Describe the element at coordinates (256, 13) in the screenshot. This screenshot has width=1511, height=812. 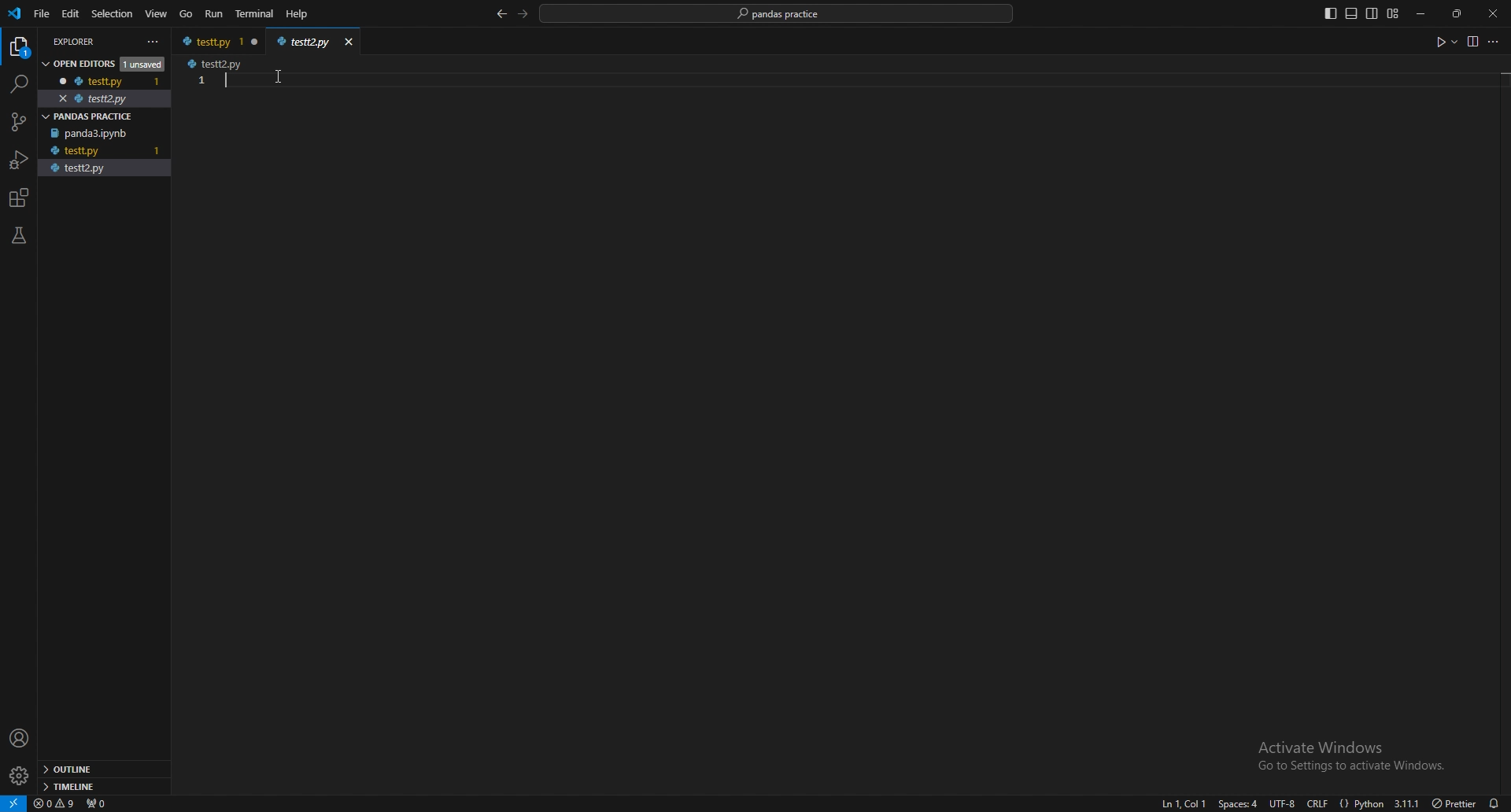
I see `terminal` at that location.